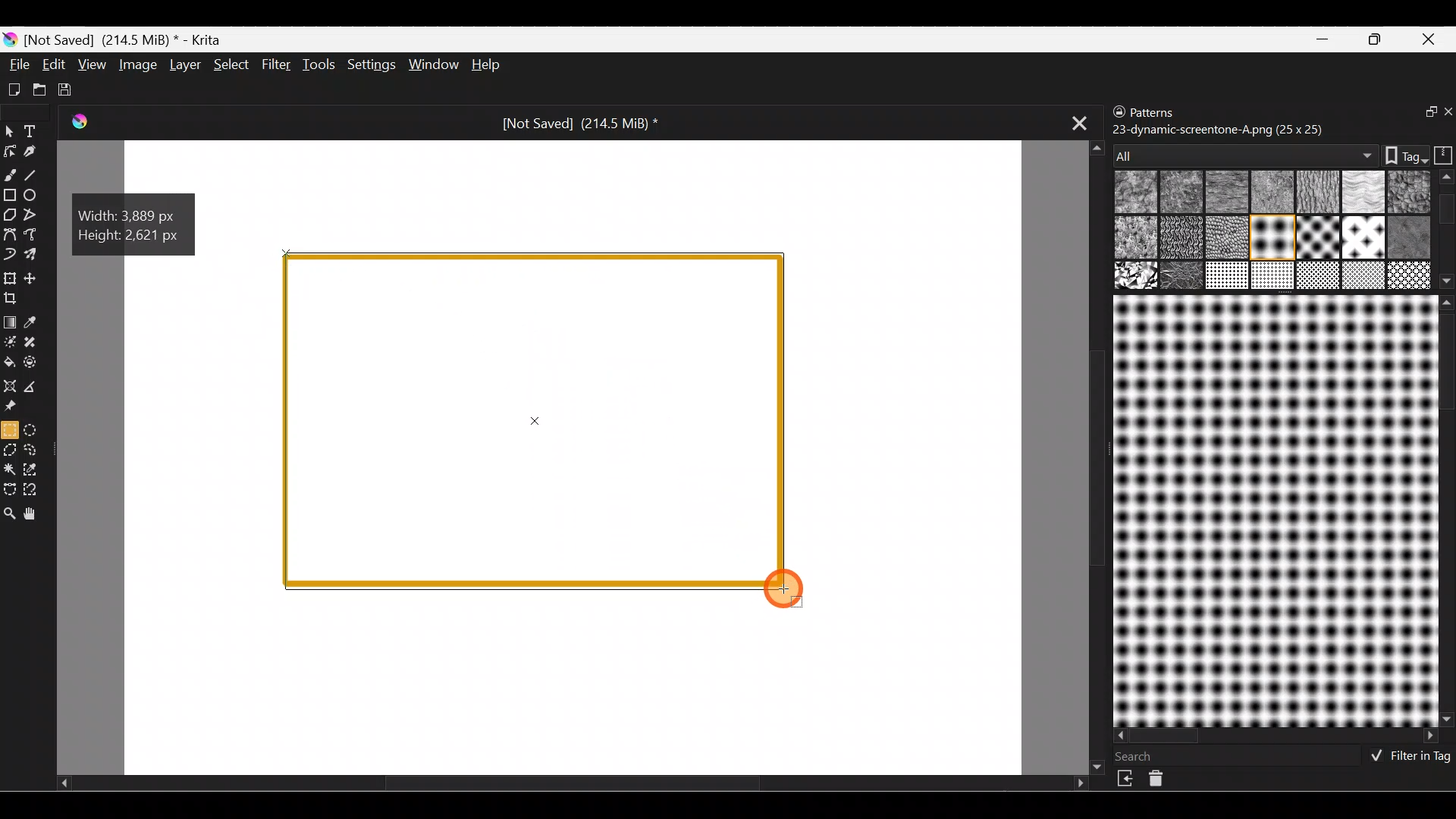 The height and width of the screenshot is (819, 1456). Describe the element at coordinates (1143, 756) in the screenshot. I see `Search` at that location.